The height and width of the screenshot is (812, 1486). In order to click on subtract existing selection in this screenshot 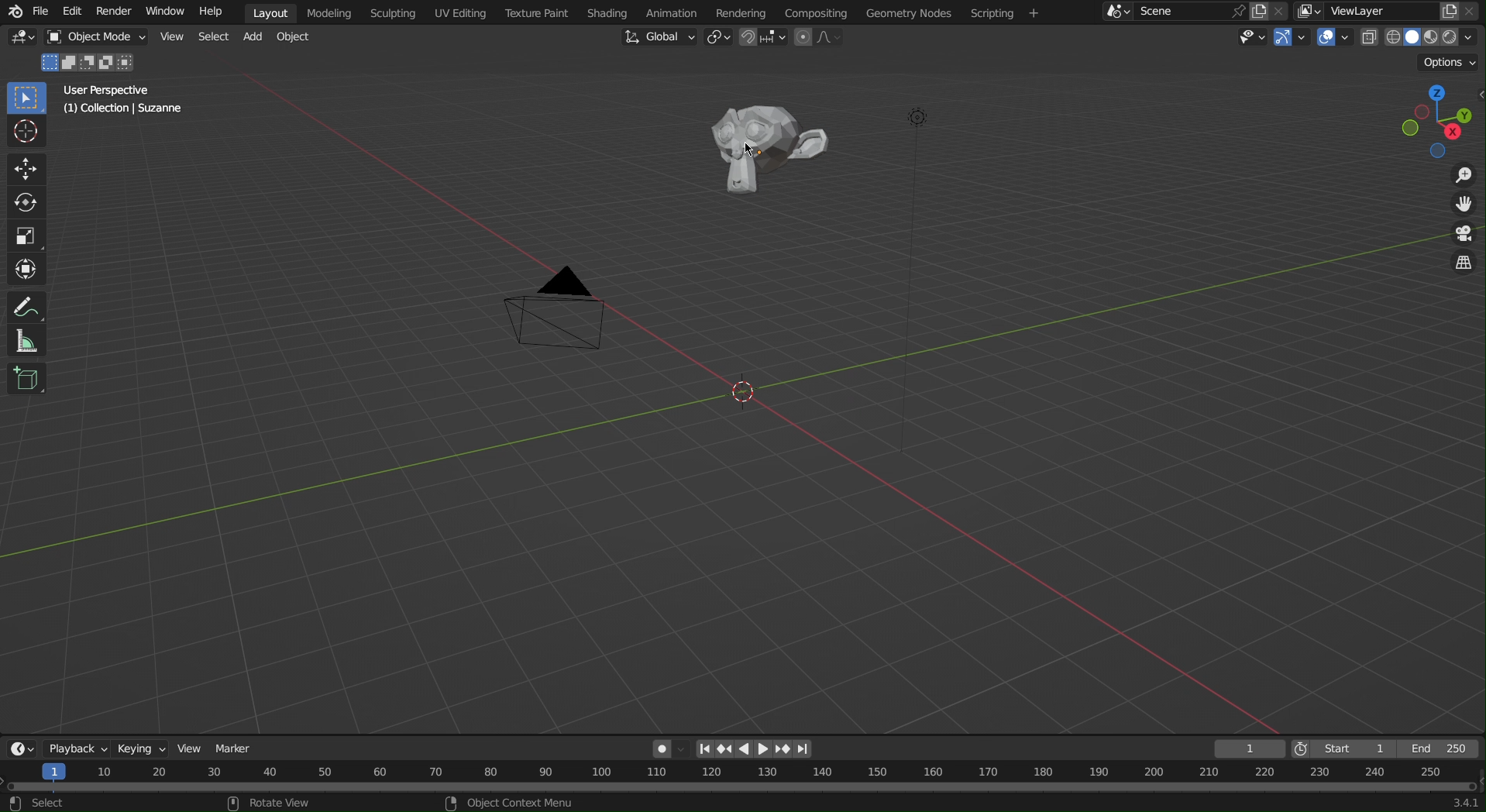, I will do `click(90, 65)`.